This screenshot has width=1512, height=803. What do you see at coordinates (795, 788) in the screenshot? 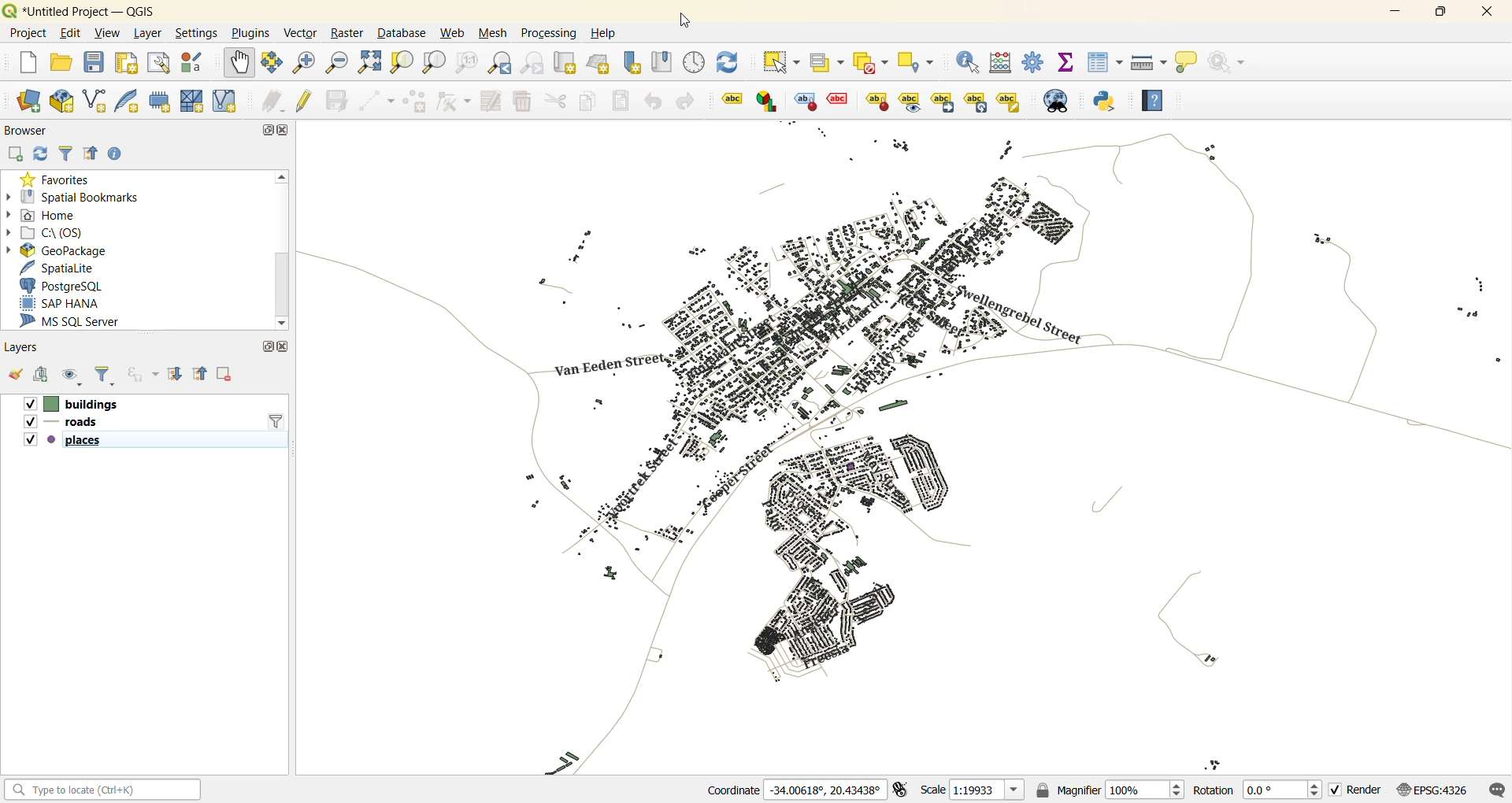
I see `coordinates` at bounding box center [795, 788].